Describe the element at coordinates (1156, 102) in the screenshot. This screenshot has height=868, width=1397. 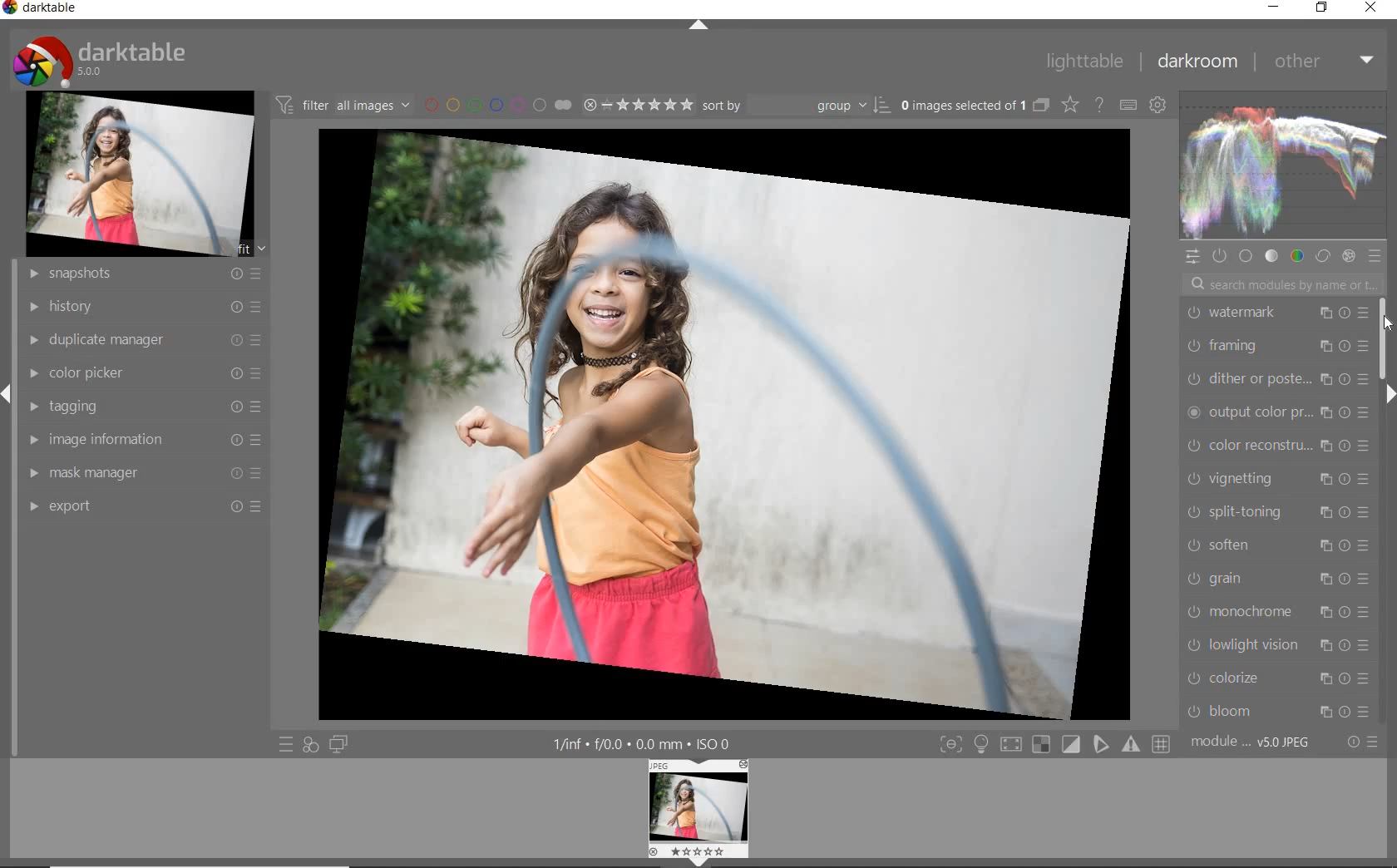
I see `show global preference` at that location.